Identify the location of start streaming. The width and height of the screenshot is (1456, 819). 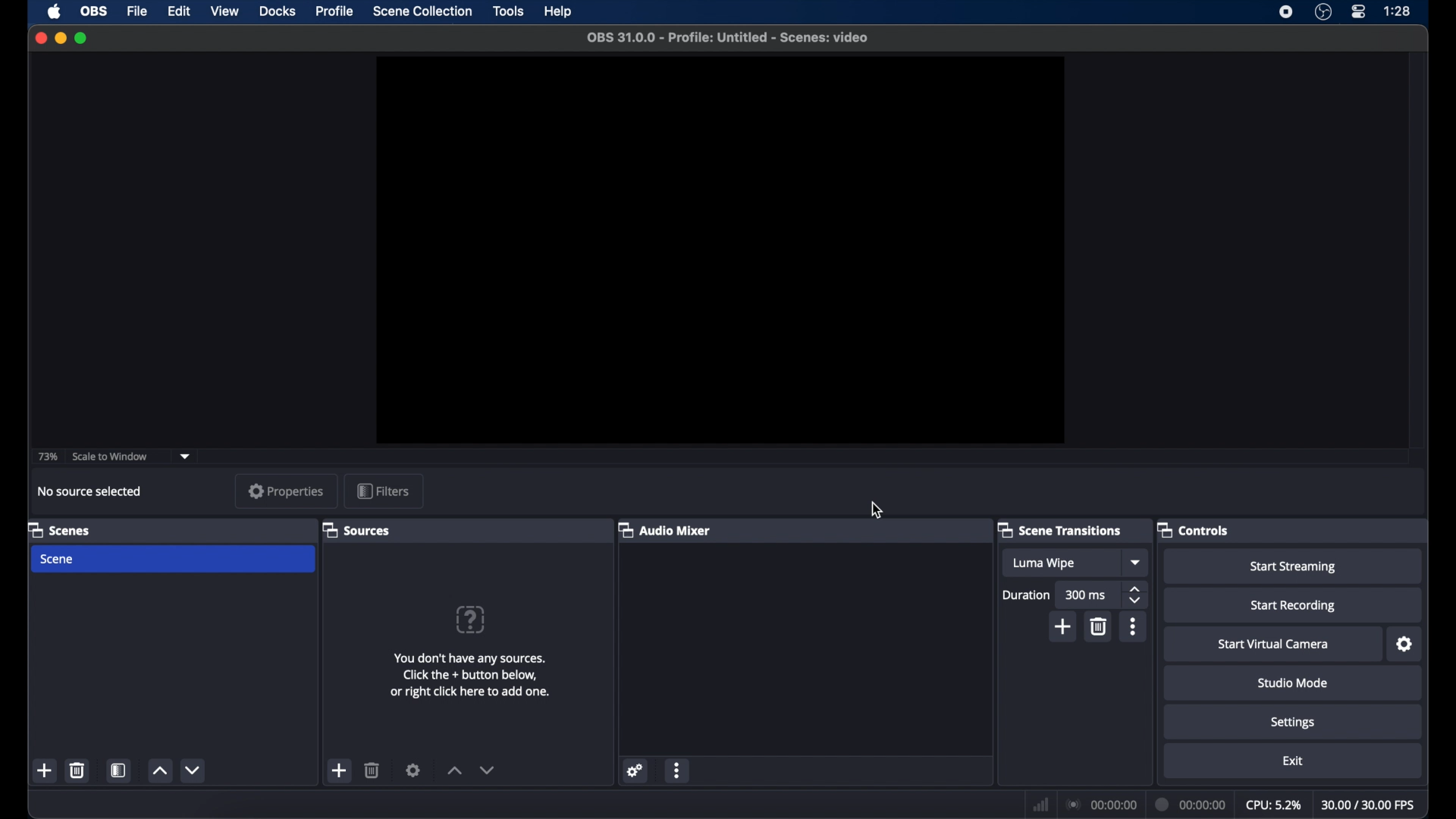
(1293, 566).